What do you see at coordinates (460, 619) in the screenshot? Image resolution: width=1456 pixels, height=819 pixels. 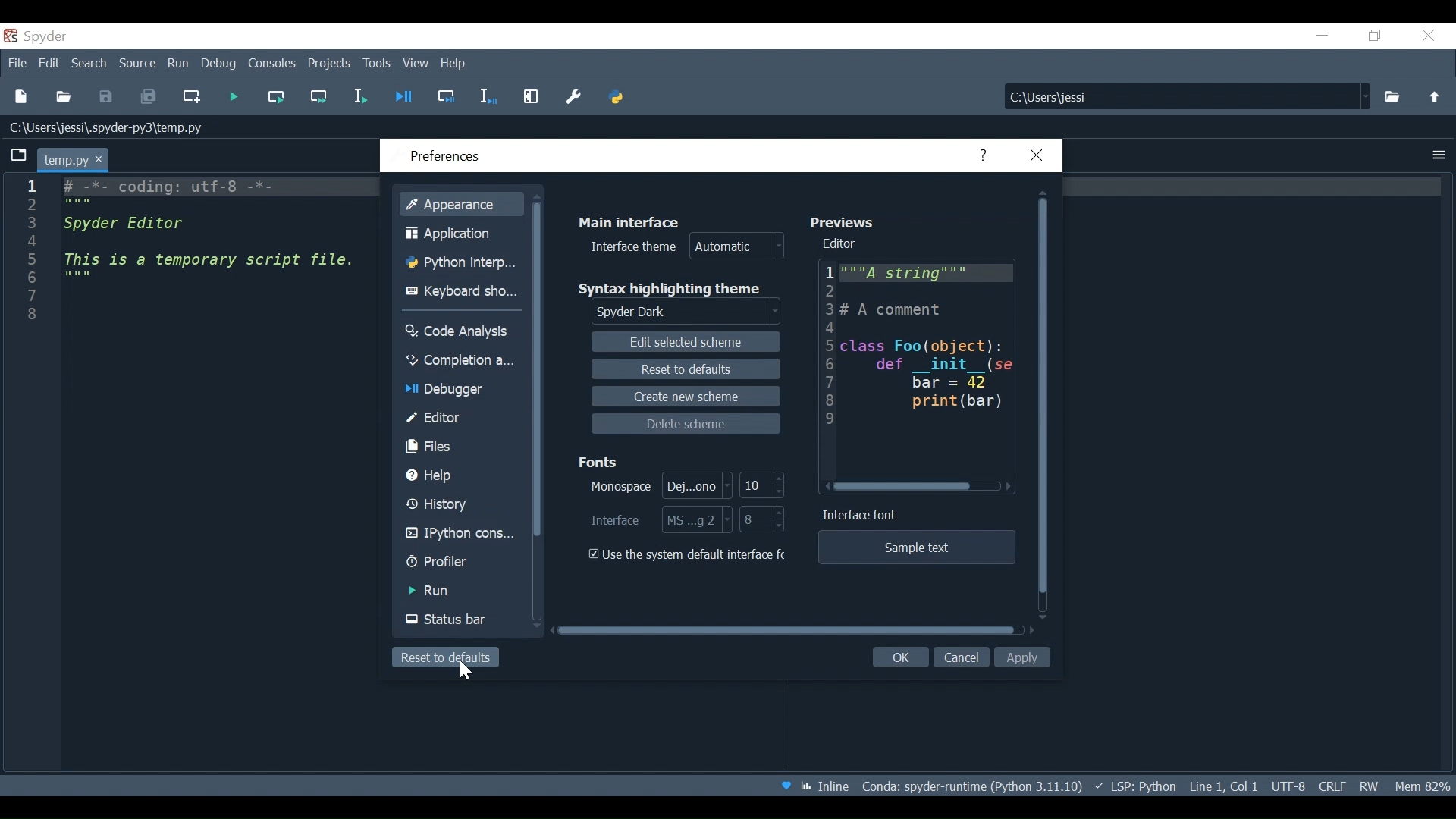 I see `Status bar` at bounding box center [460, 619].